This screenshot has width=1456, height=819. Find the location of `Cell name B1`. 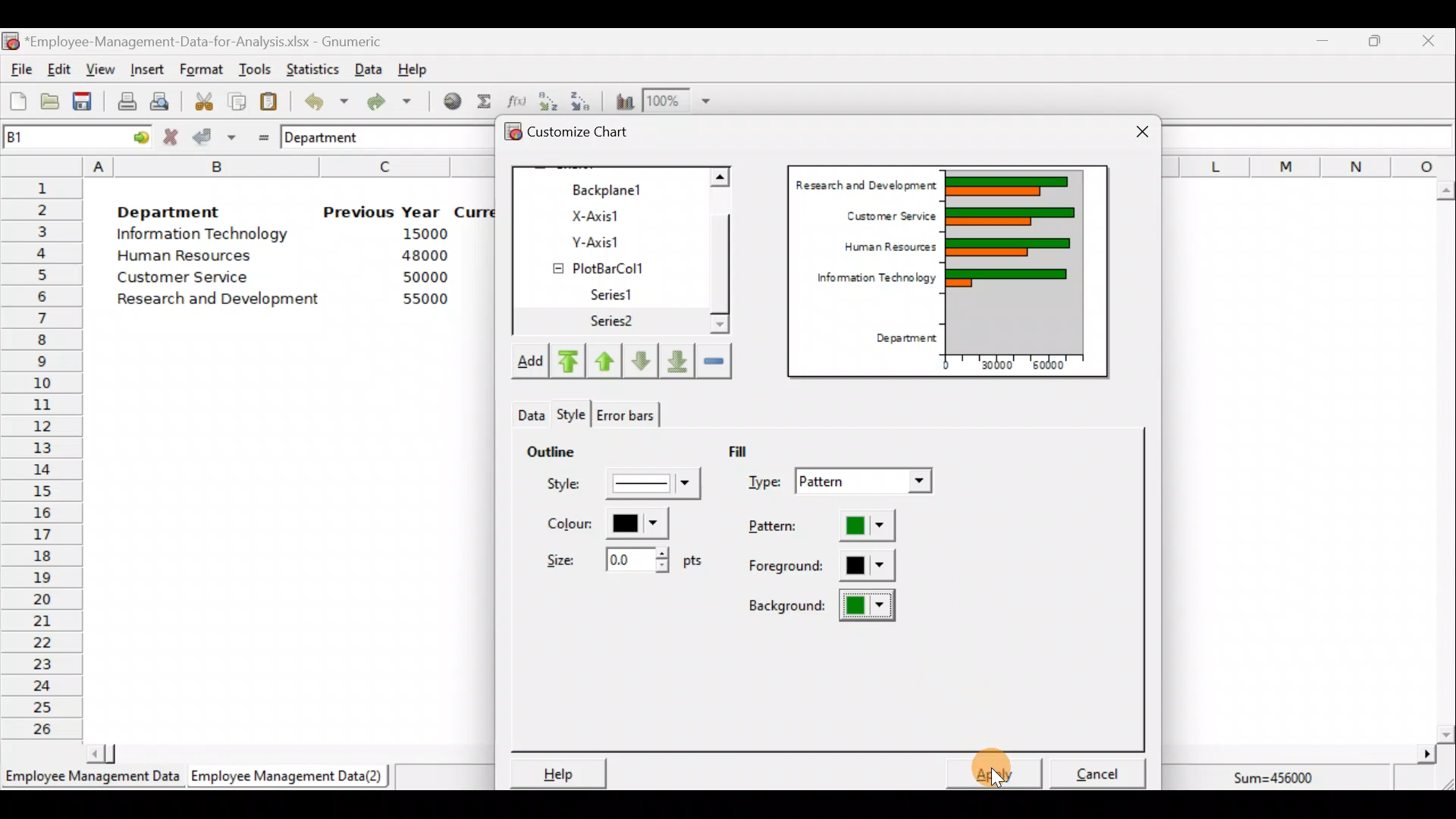

Cell name B1 is located at coordinates (50, 136).